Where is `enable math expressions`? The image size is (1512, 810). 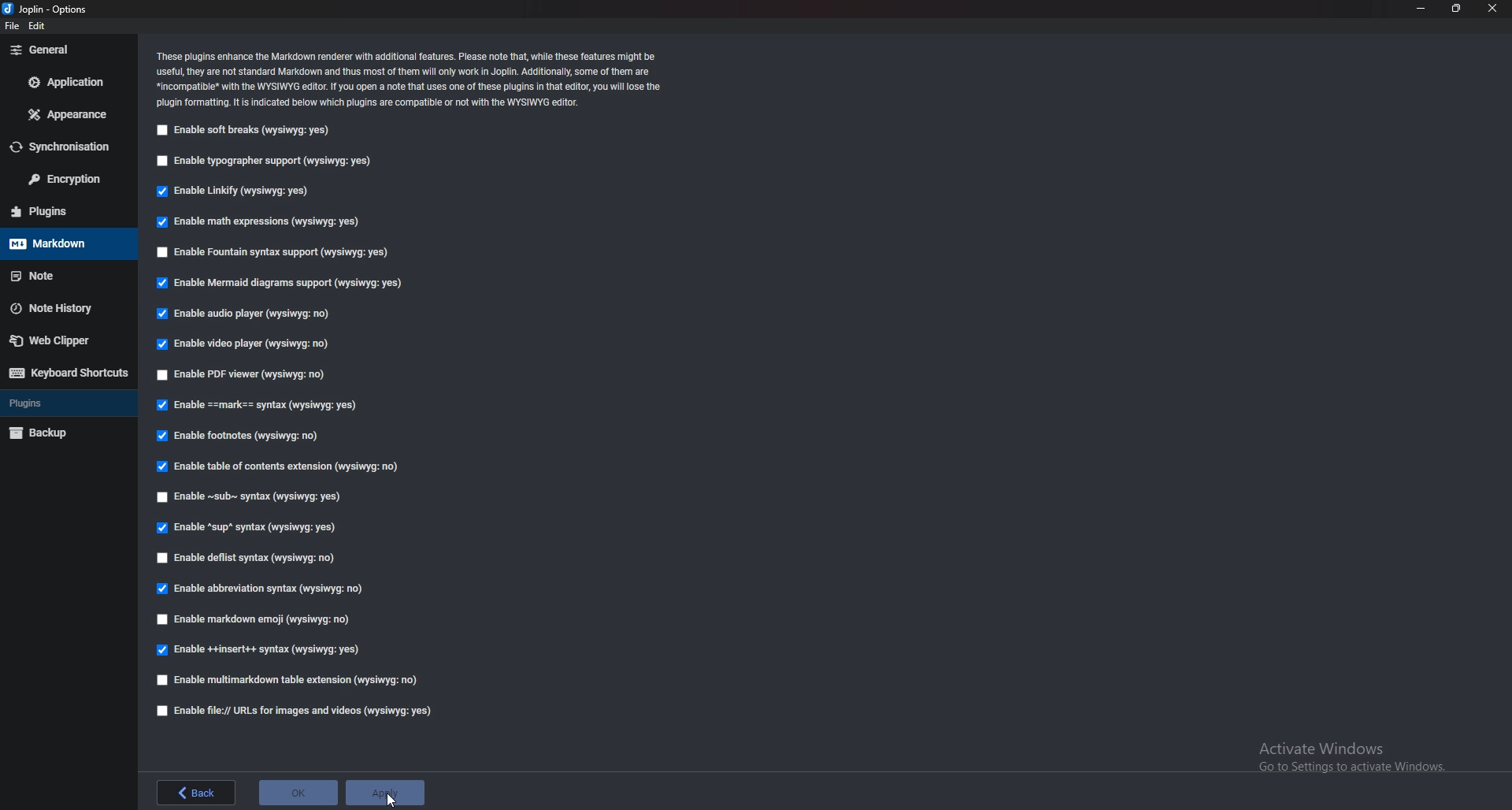
enable math expressions is located at coordinates (261, 224).